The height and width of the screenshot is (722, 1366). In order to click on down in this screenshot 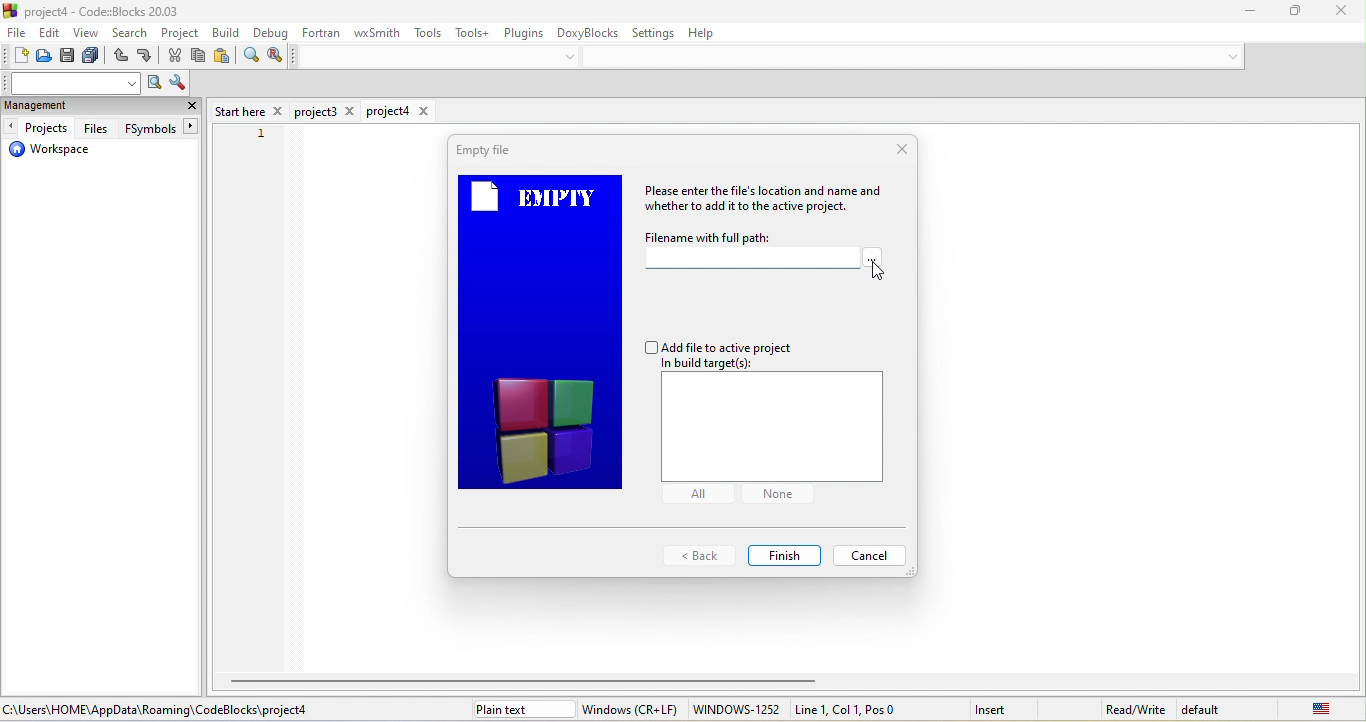, I will do `click(574, 56)`.